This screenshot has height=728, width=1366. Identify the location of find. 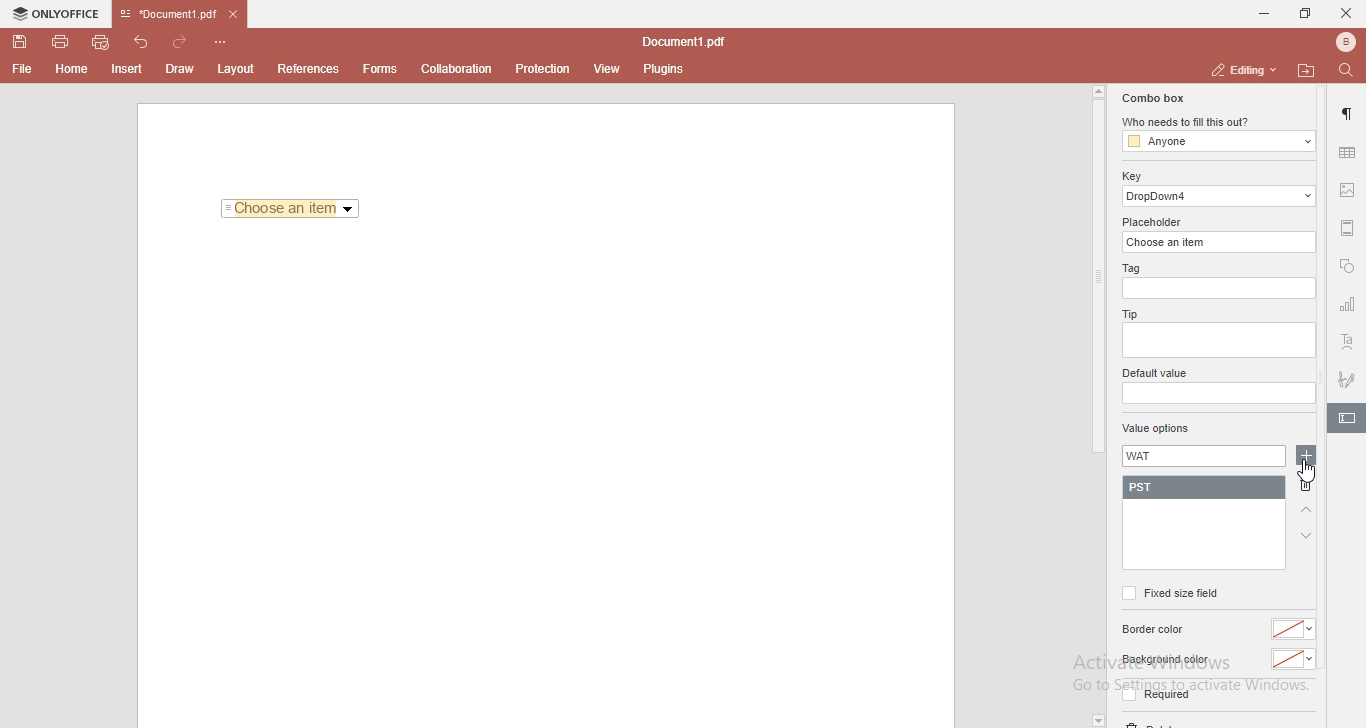
(1350, 69).